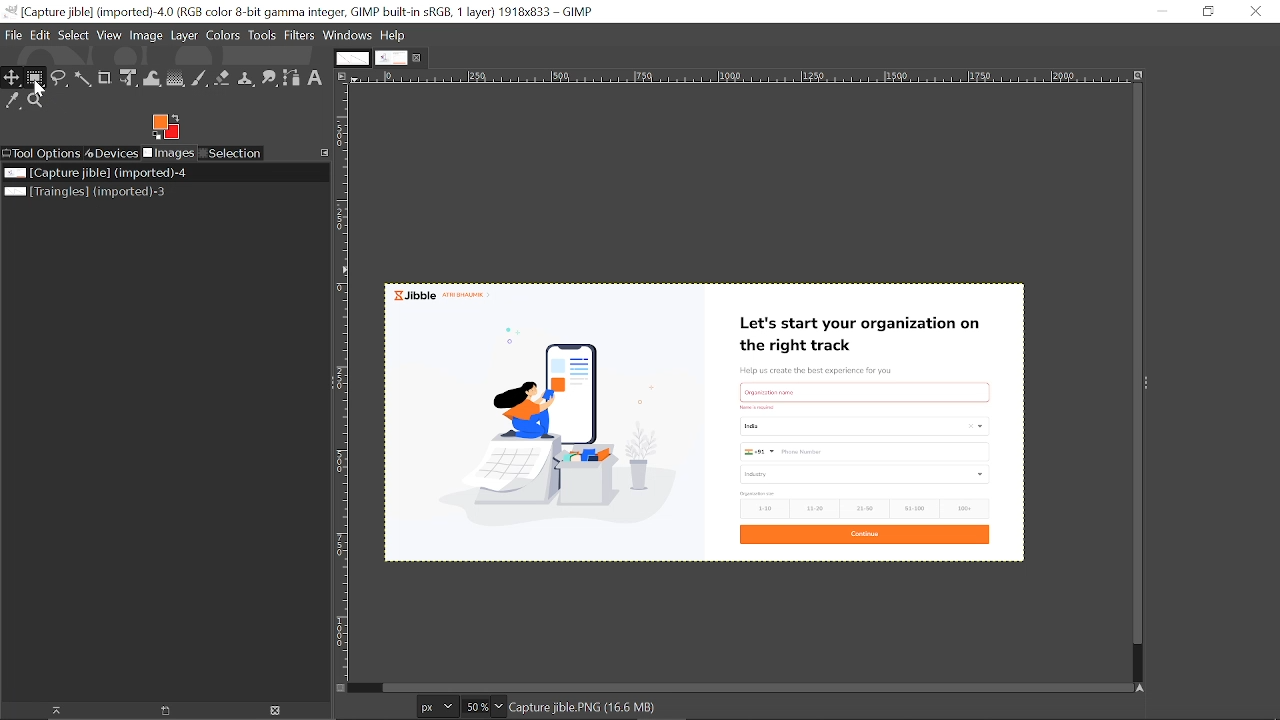 The image size is (1280, 720). What do you see at coordinates (126, 78) in the screenshot?
I see `unified transform tool` at bounding box center [126, 78].